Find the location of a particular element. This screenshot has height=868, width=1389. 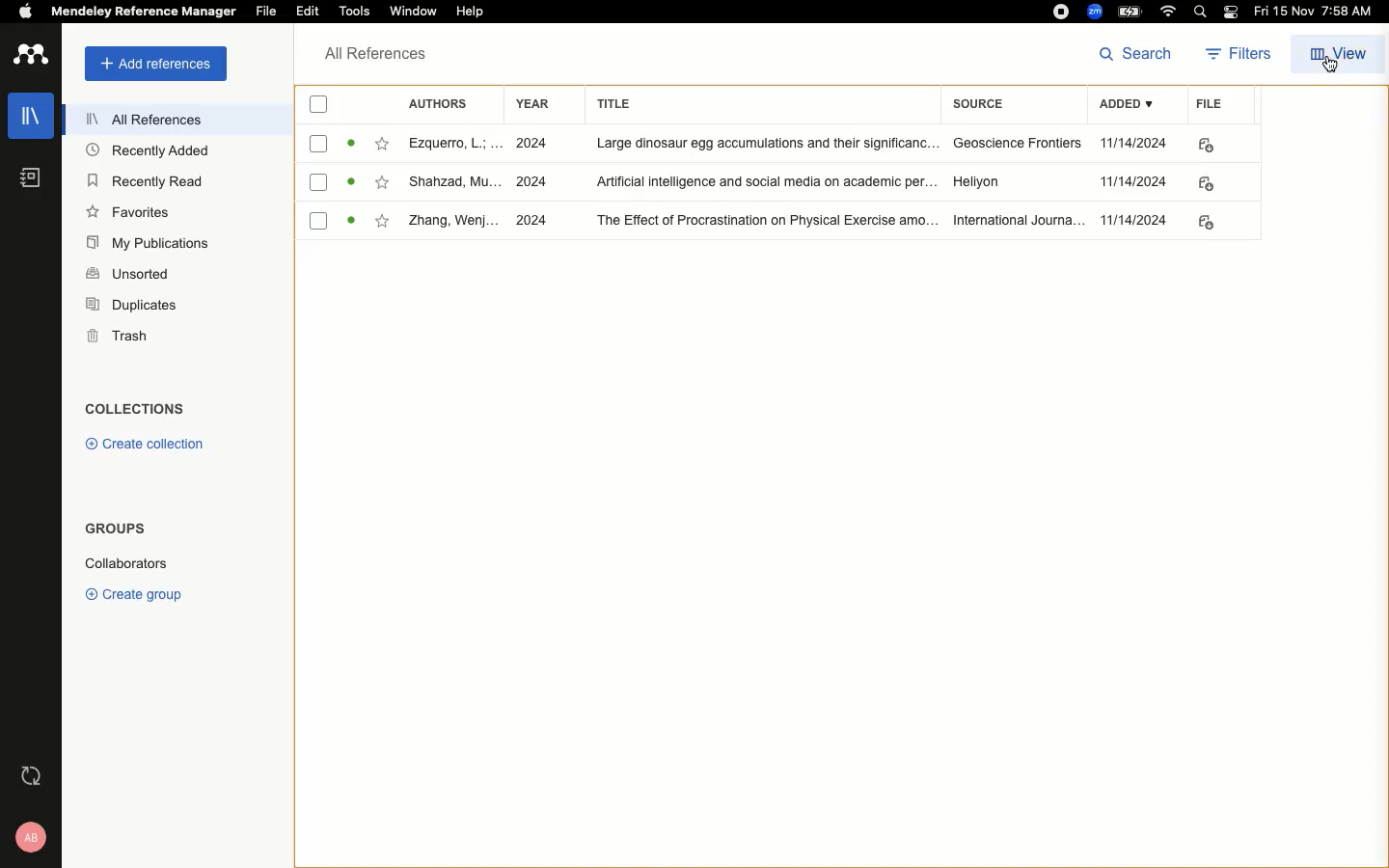

cursor is located at coordinates (1335, 77).